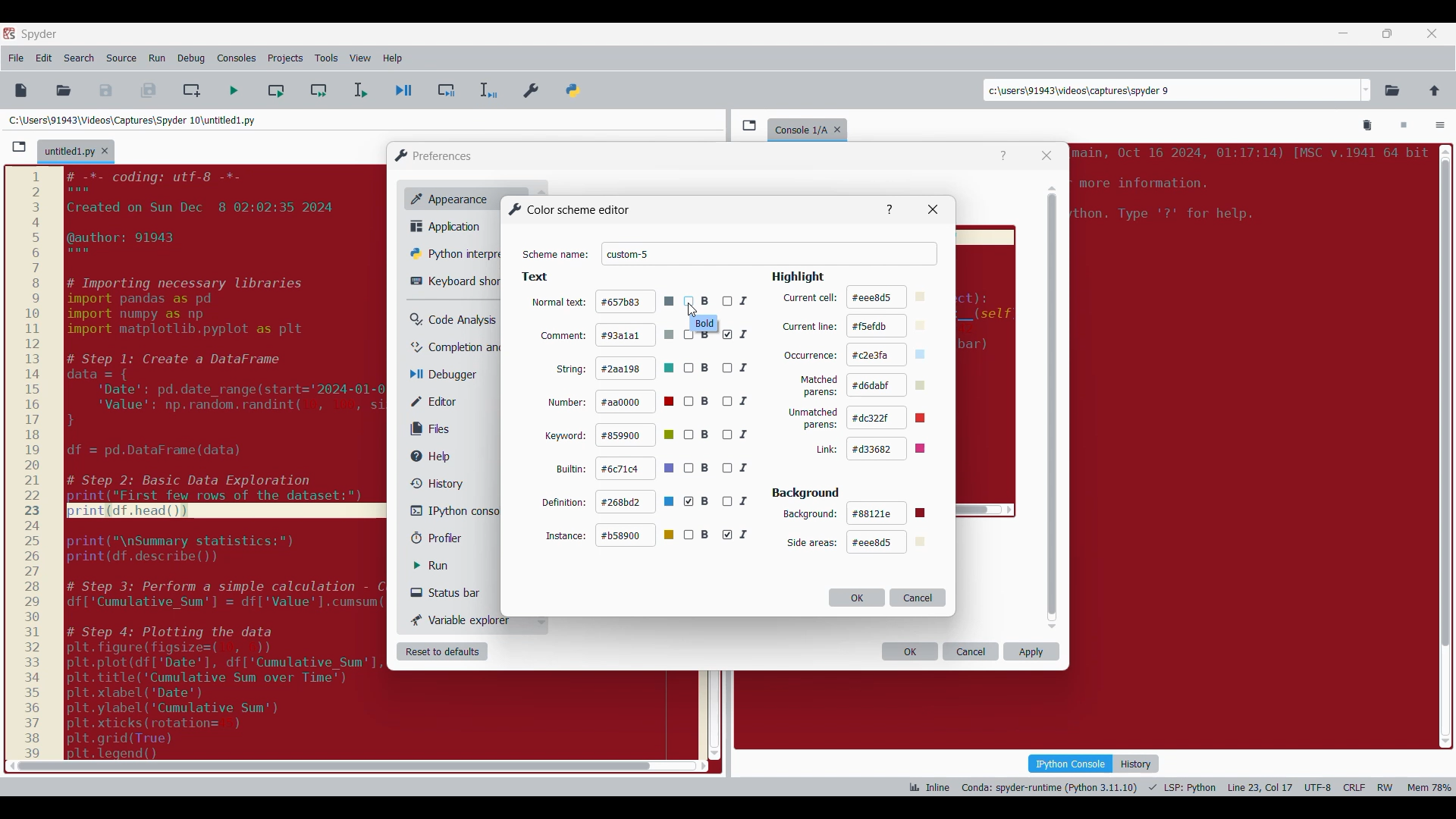 Image resolution: width=1456 pixels, height=819 pixels. What do you see at coordinates (1404, 126) in the screenshot?
I see `Interrupt kernel` at bounding box center [1404, 126].